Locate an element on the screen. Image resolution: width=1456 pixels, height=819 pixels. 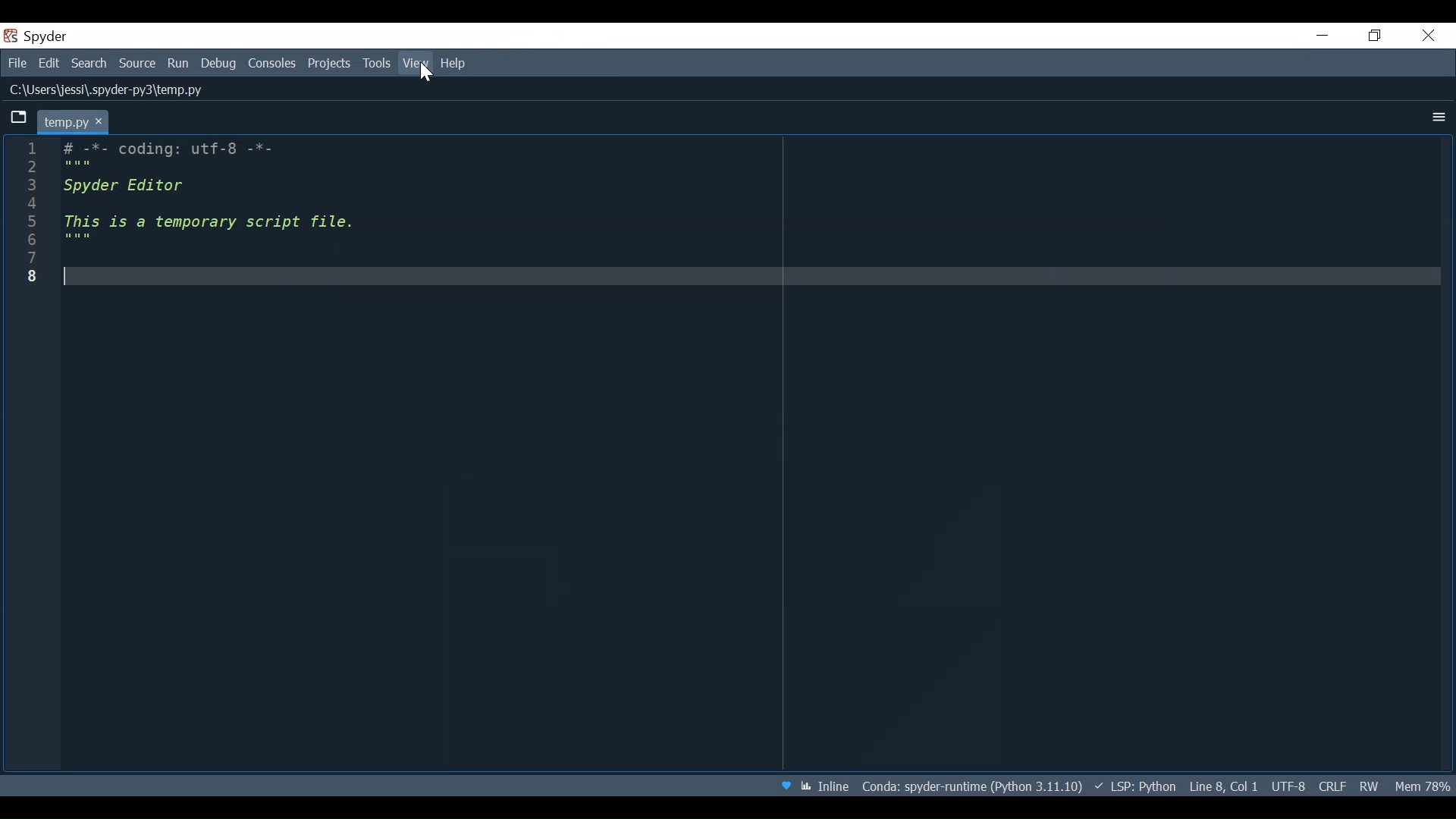
File EQL Status is located at coordinates (1332, 786).